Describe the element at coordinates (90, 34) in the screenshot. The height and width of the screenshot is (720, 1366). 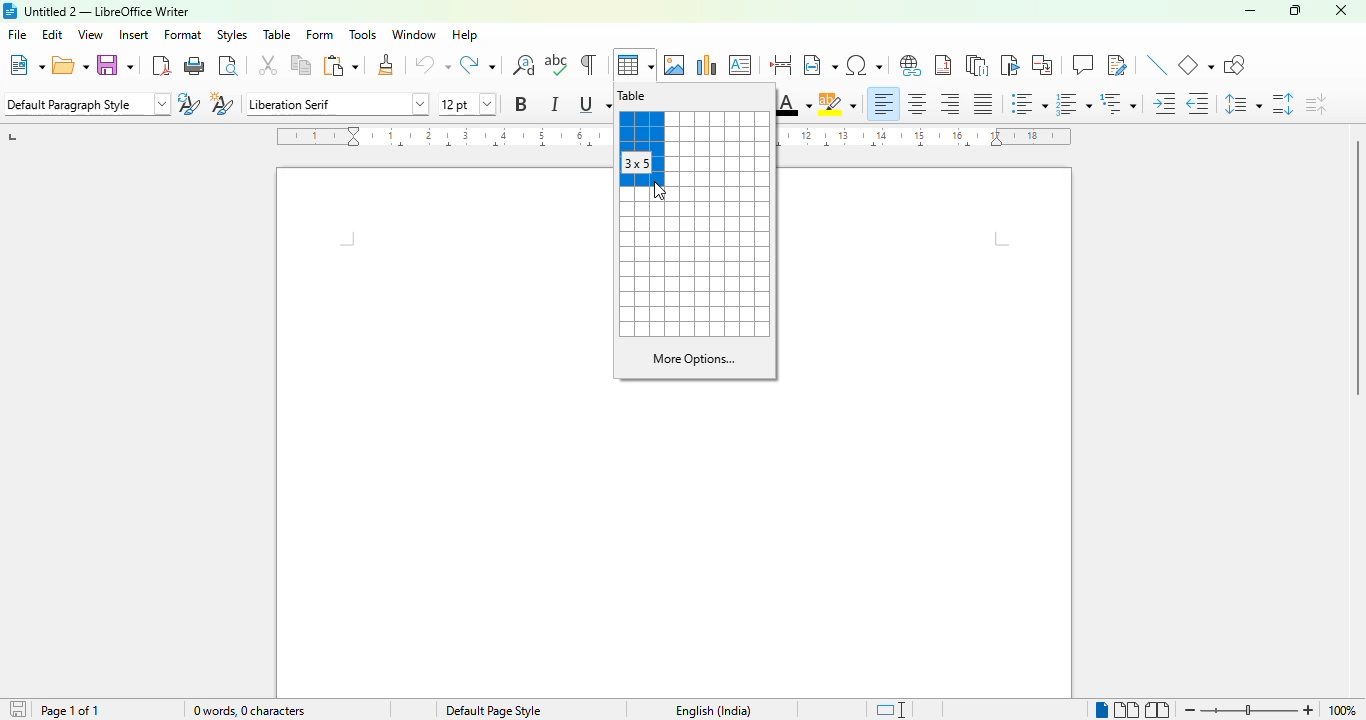
I see `view` at that location.